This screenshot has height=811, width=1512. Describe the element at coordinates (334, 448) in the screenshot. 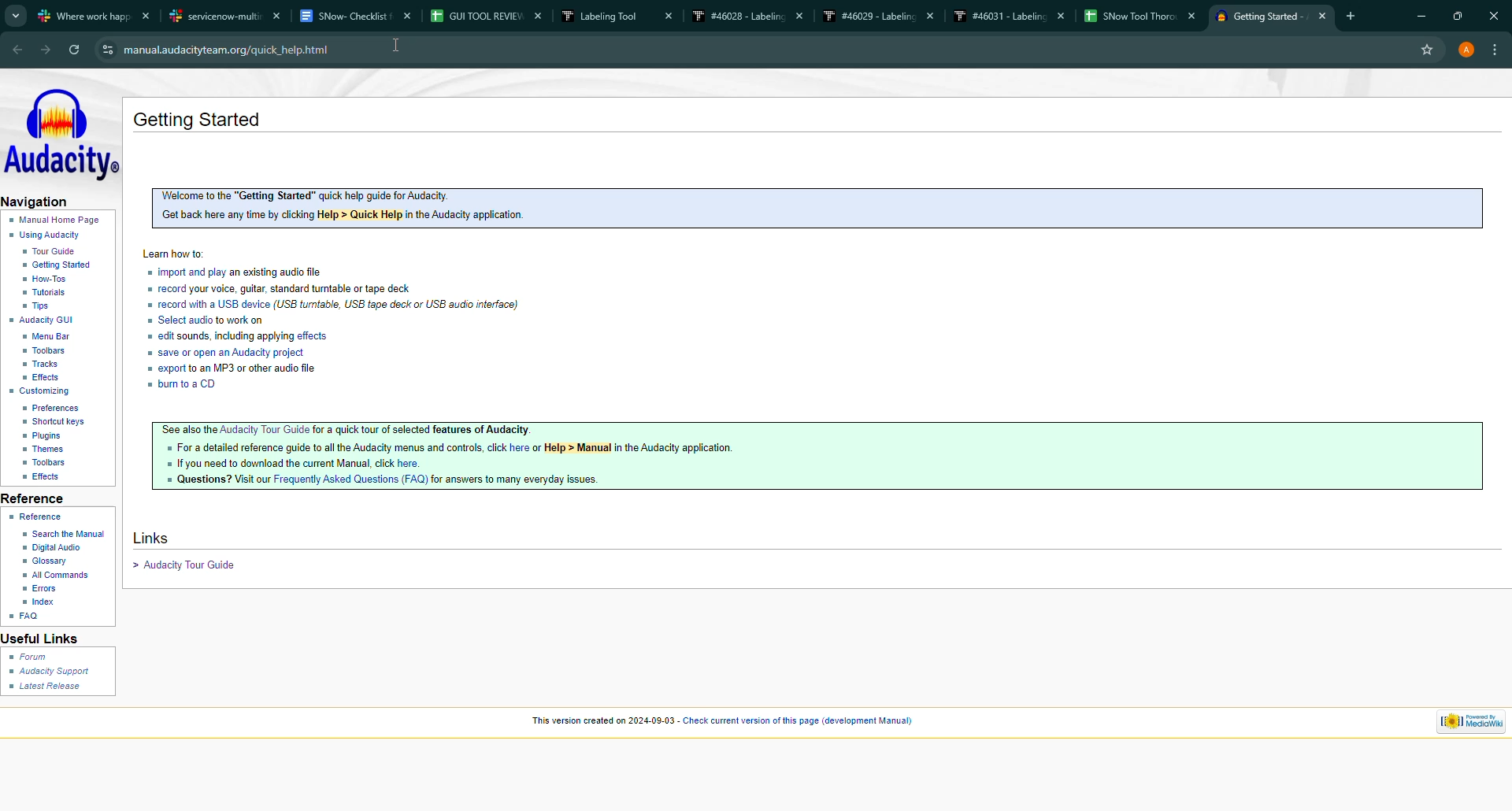

I see `For a detailed reference guide to all the Audacity menus and controls, click` at that location.